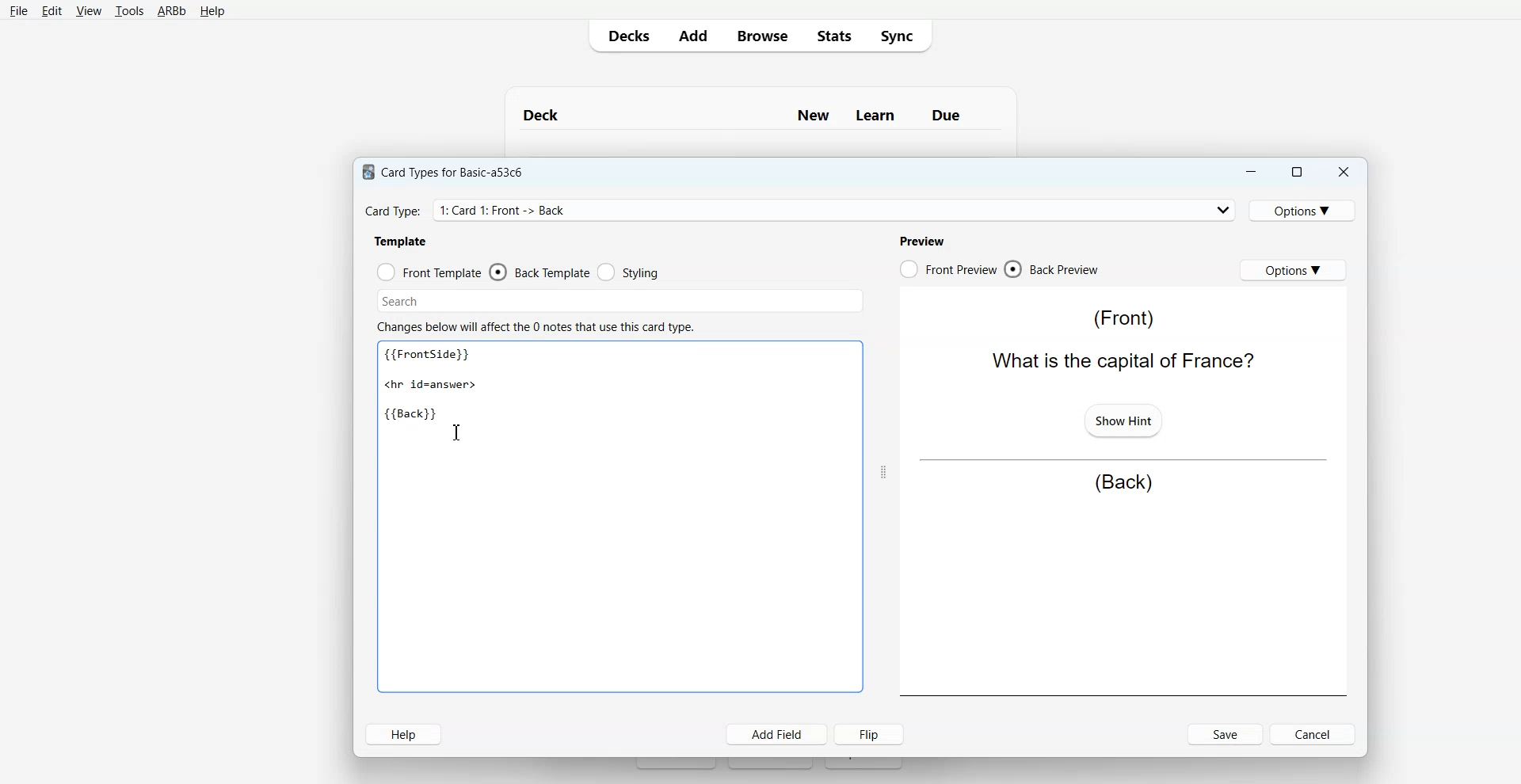 The image size is (1521, 784). Describe the element at coordinates (630, 272) in the screenshot. I see `Styling` at that location.